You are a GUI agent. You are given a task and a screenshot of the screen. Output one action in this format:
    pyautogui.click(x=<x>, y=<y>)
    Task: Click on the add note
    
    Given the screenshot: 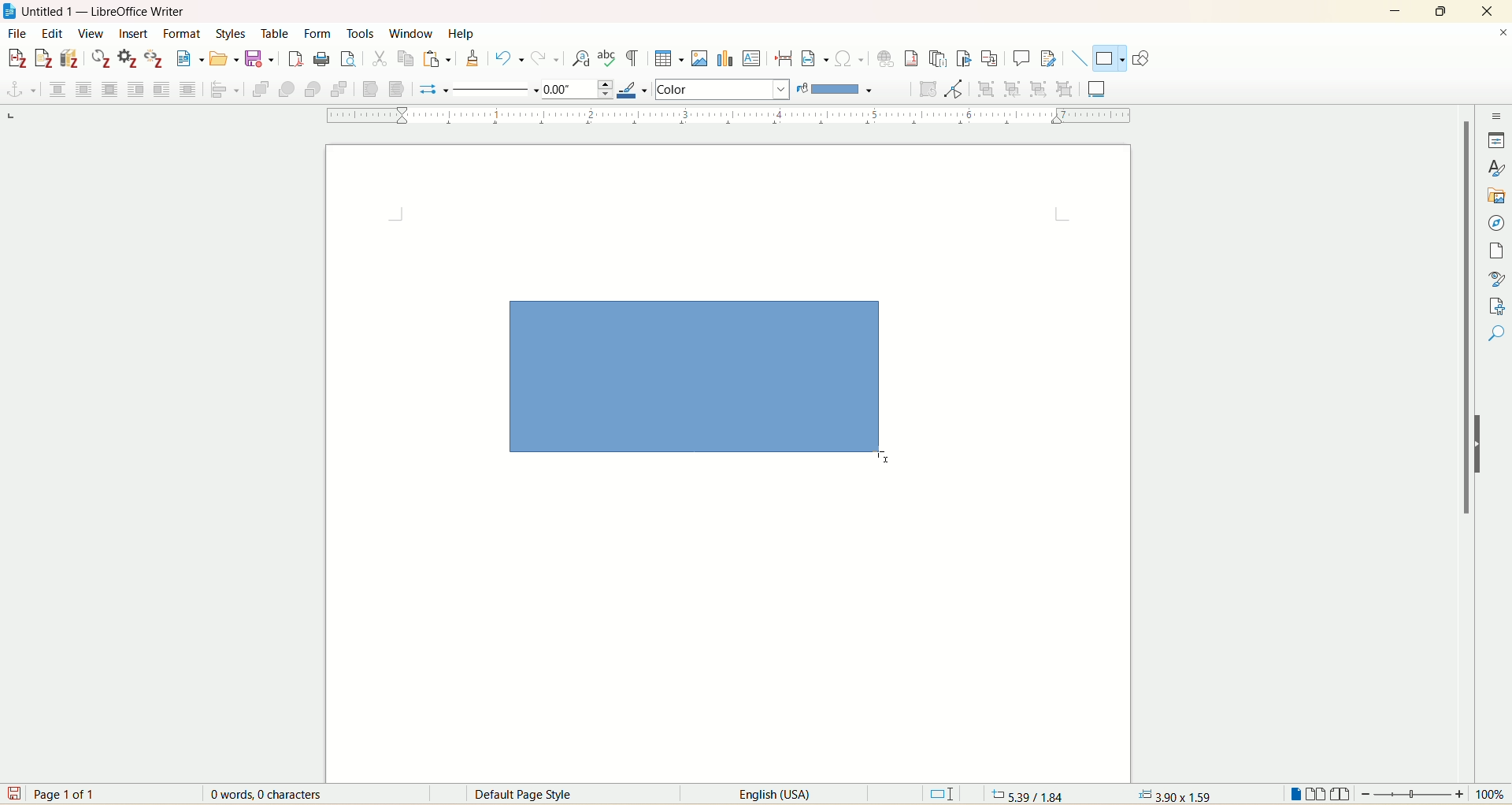 What is the action you would take?
    pyautogui.click(x=43, y=59)
    